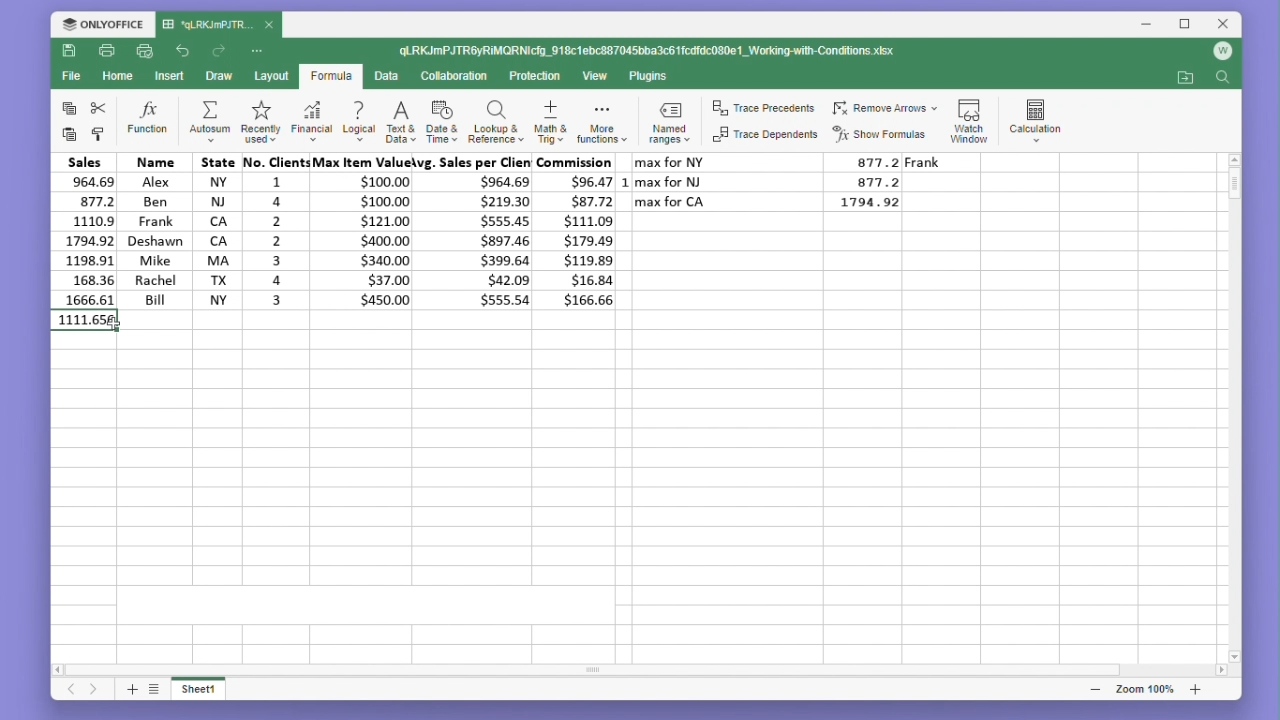 Image resolution: width=1280 pixels, height=720 pixels. What do you see at coordinates (259, 51) in the screenshot?
I see `More options` at bounding box center [259, 51].